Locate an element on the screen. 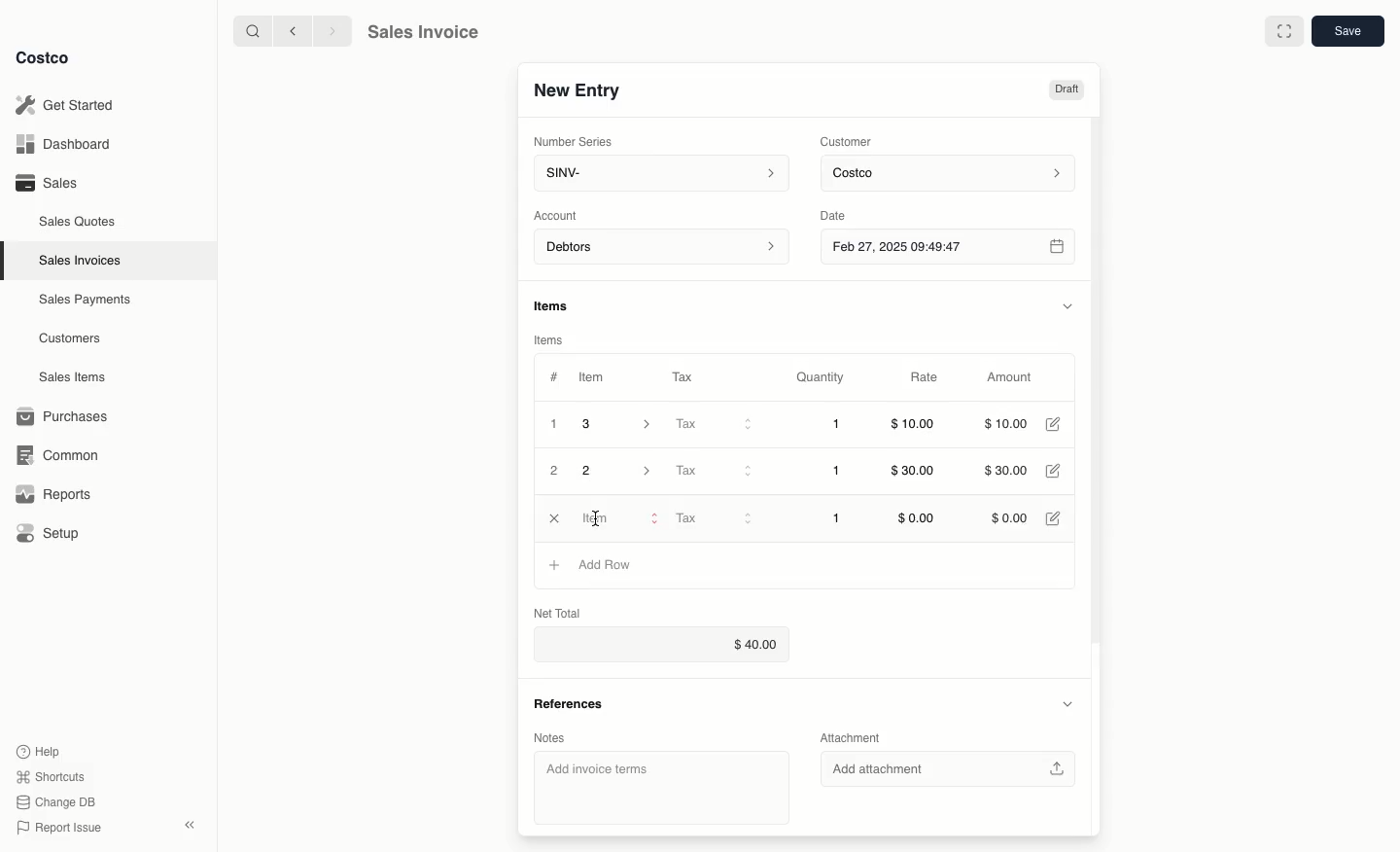 The height and width of the screenshot is (852, 1400). Tax is located at coordinates (712, 471).